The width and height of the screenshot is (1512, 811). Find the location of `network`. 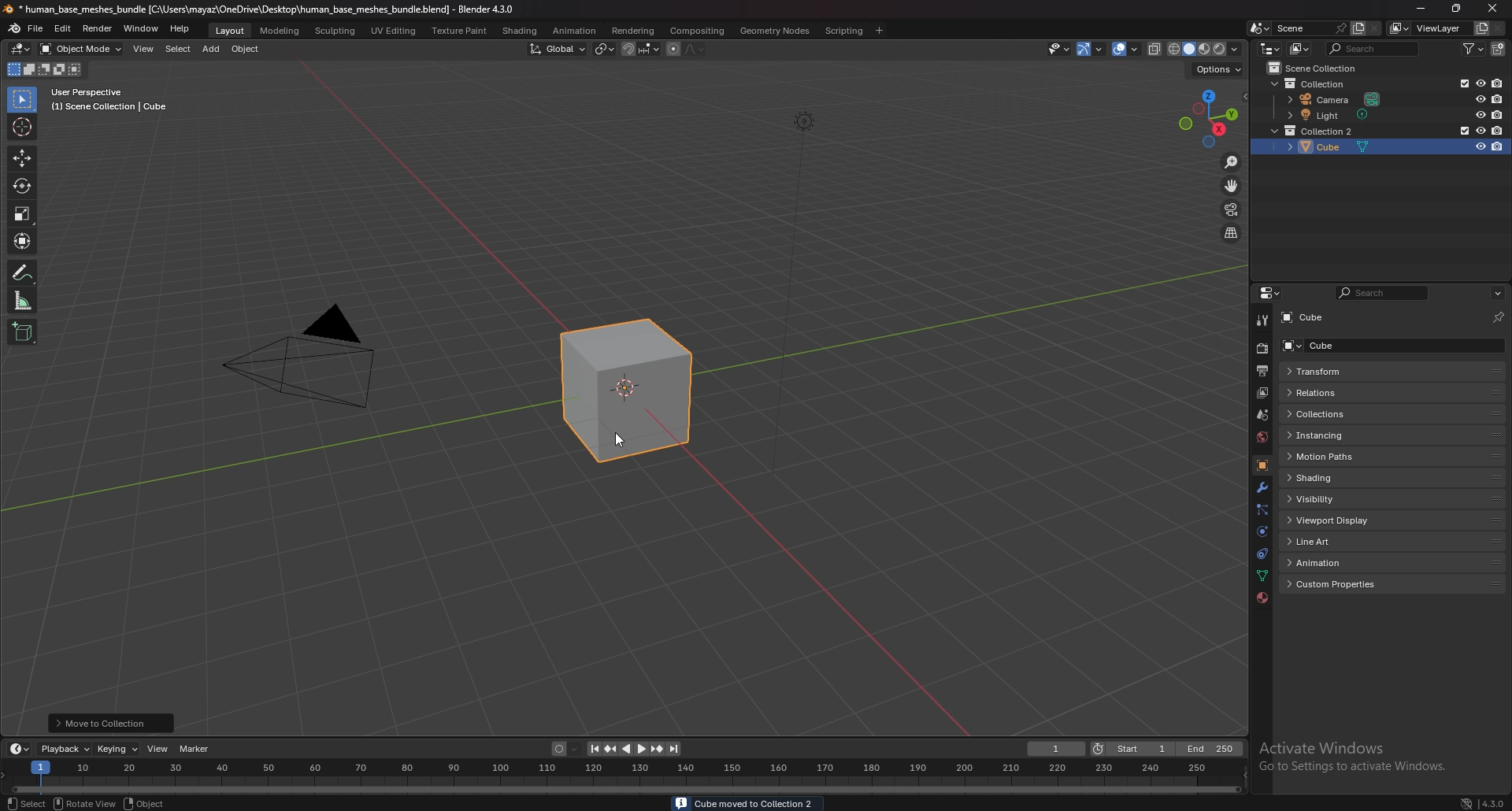

network is located at coordinates (1466, 802).